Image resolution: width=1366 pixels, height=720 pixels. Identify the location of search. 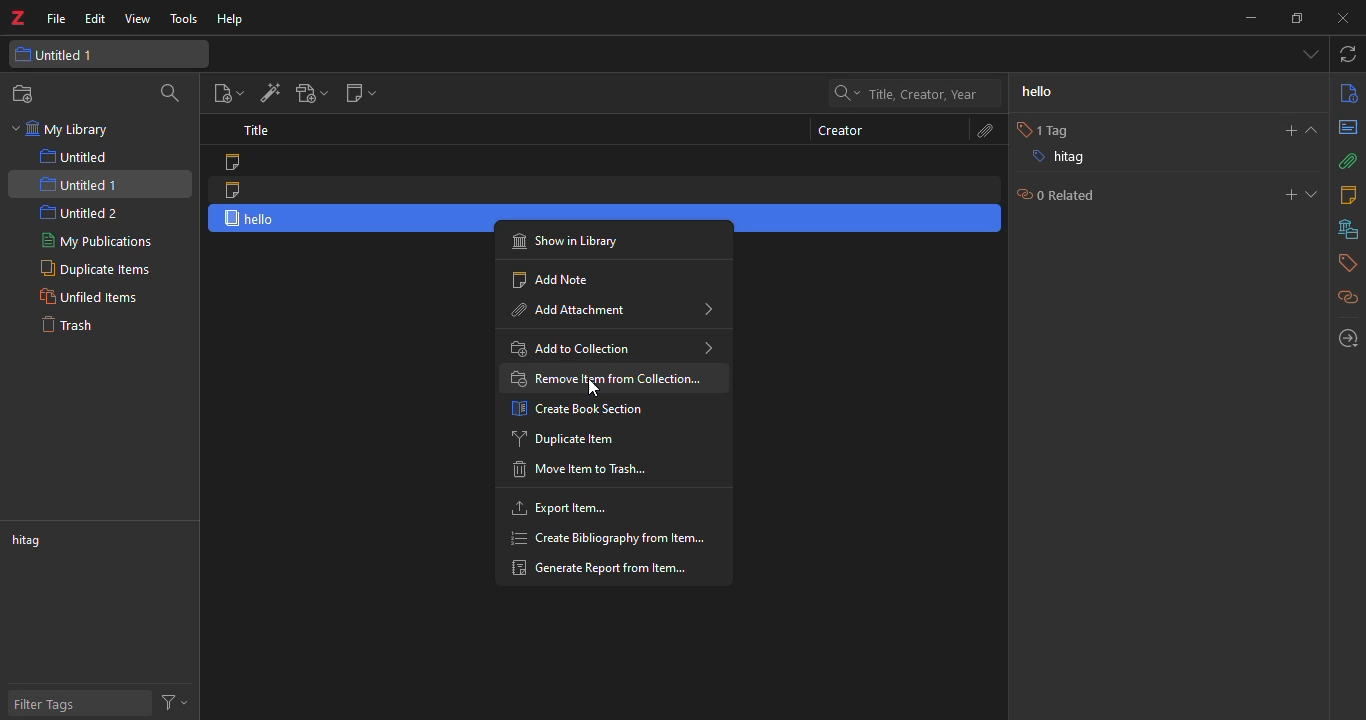
(170, 95).